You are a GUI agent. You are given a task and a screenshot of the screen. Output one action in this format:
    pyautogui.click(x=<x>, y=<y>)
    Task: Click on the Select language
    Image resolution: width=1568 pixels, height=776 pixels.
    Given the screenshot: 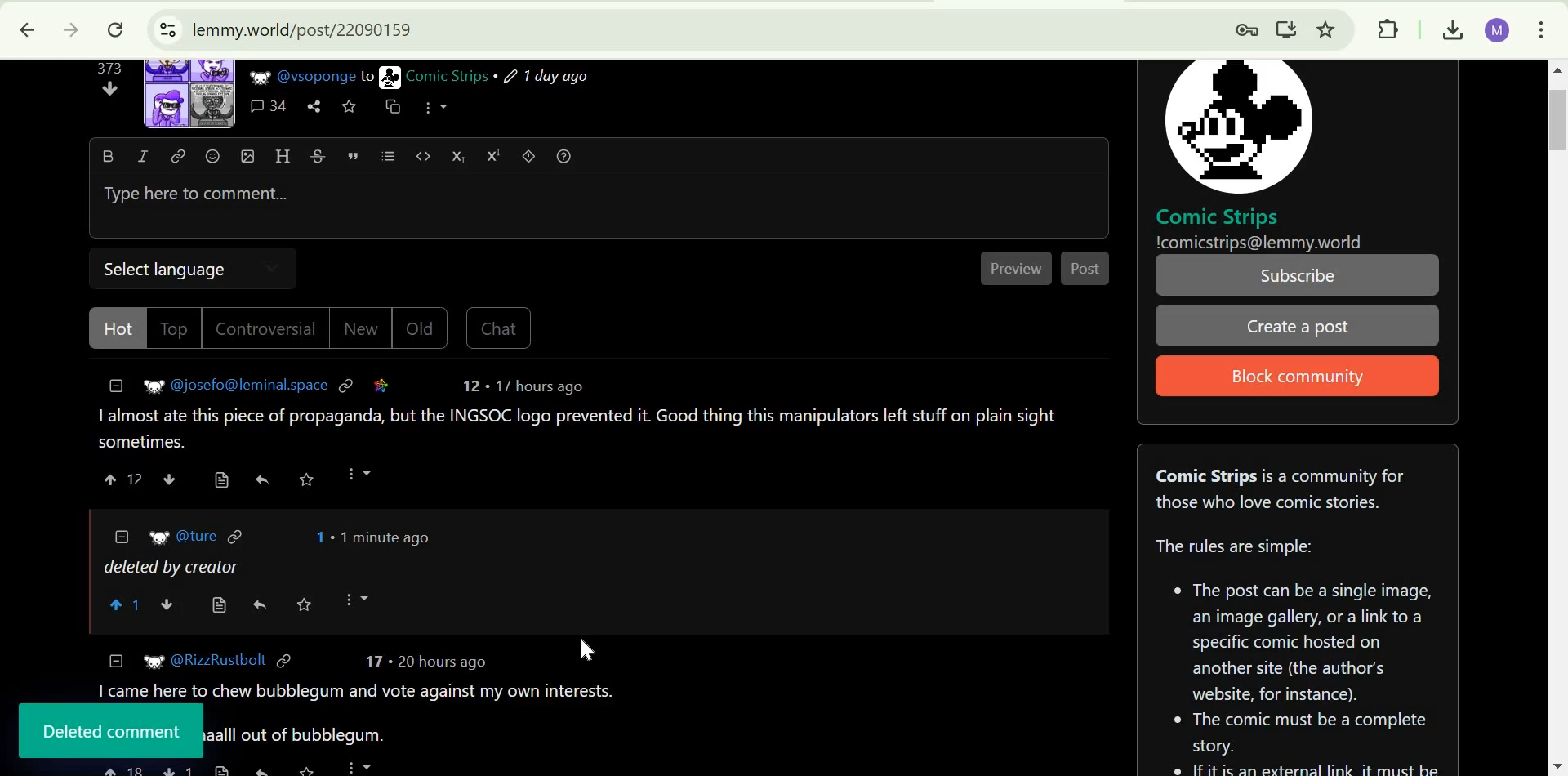 What is the action you would take?
    pyautogui.click(x=172, y=265)
    